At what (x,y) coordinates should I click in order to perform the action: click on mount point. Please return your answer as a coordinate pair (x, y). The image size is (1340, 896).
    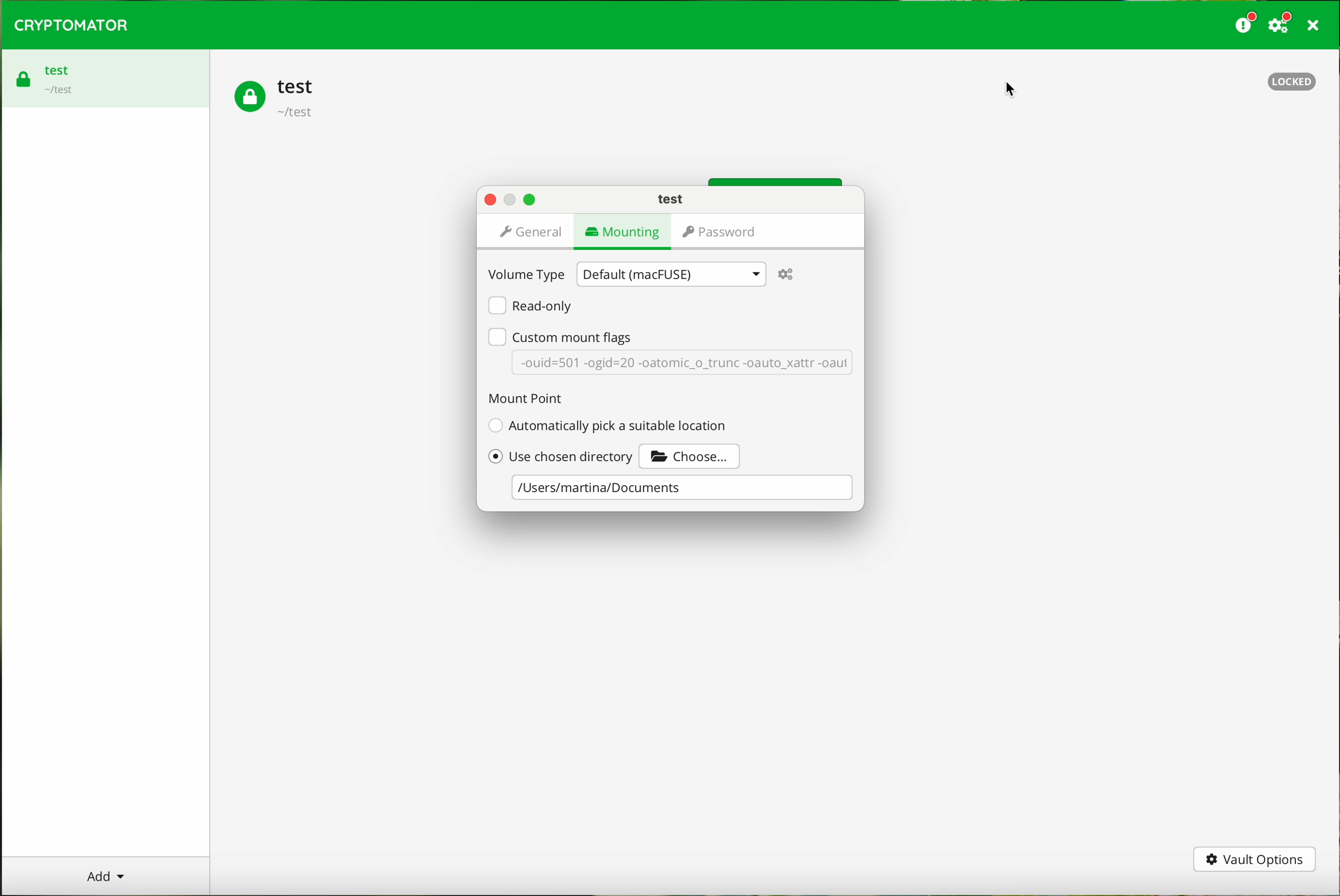
    Looking at the image, I should click on (523, 398).